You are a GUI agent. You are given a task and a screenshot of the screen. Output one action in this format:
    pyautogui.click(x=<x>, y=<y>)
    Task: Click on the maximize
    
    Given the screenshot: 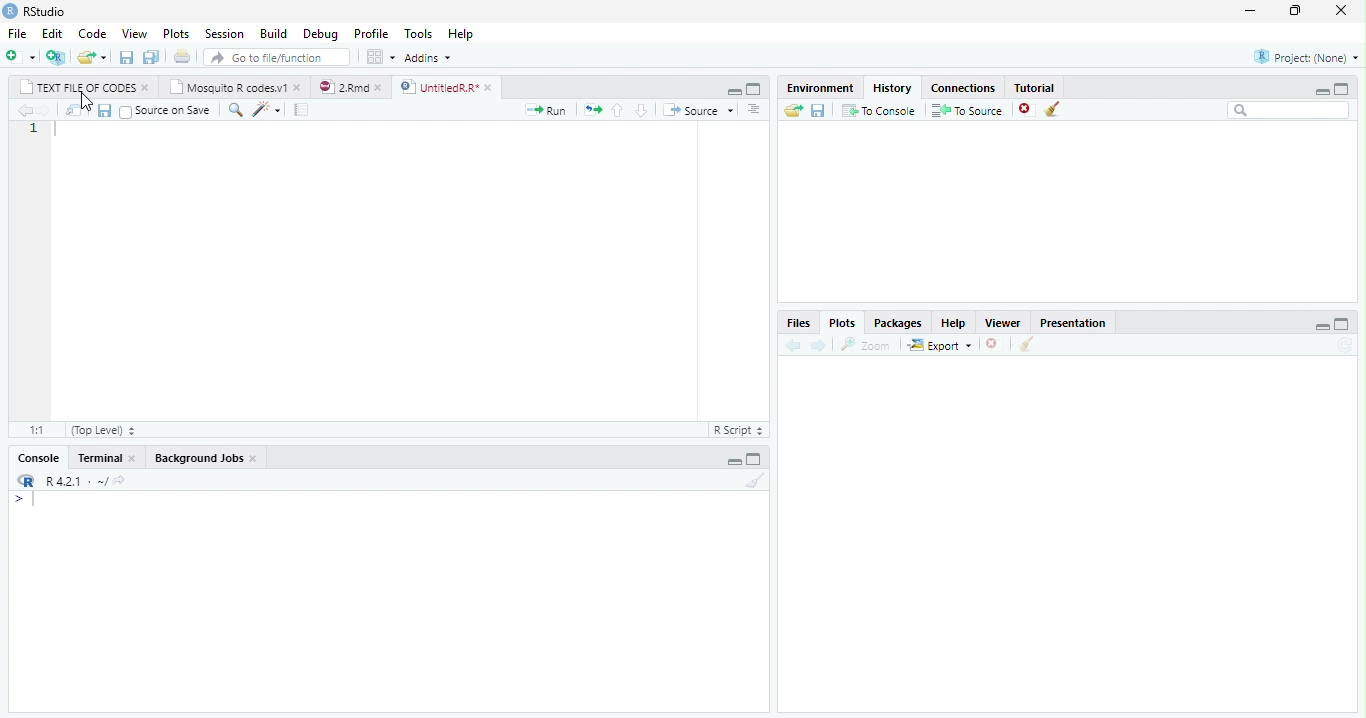 What is the action you would take?
    pyautogui.click(x=758, y=90)
    